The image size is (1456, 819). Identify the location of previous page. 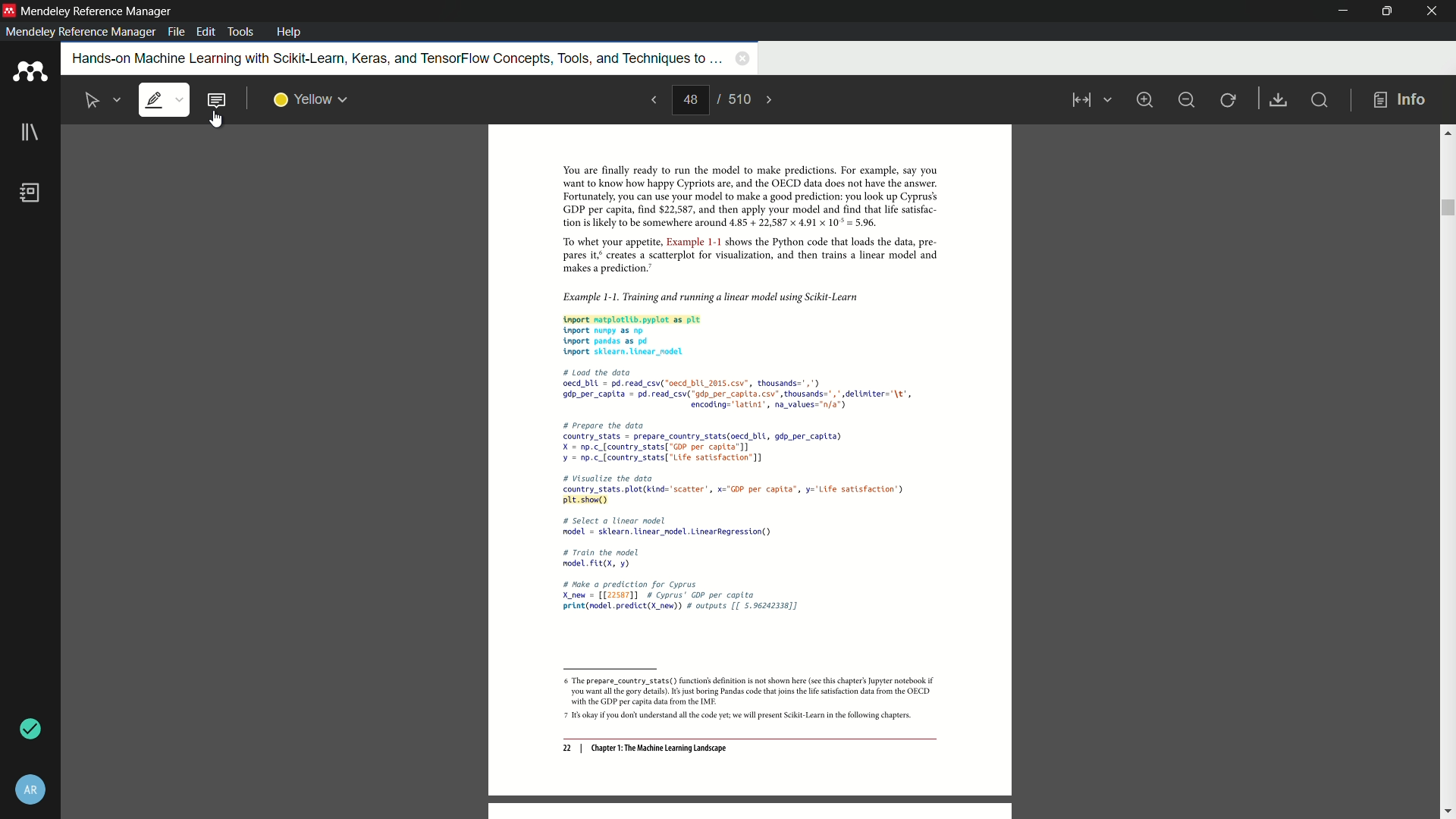
(652, 99).